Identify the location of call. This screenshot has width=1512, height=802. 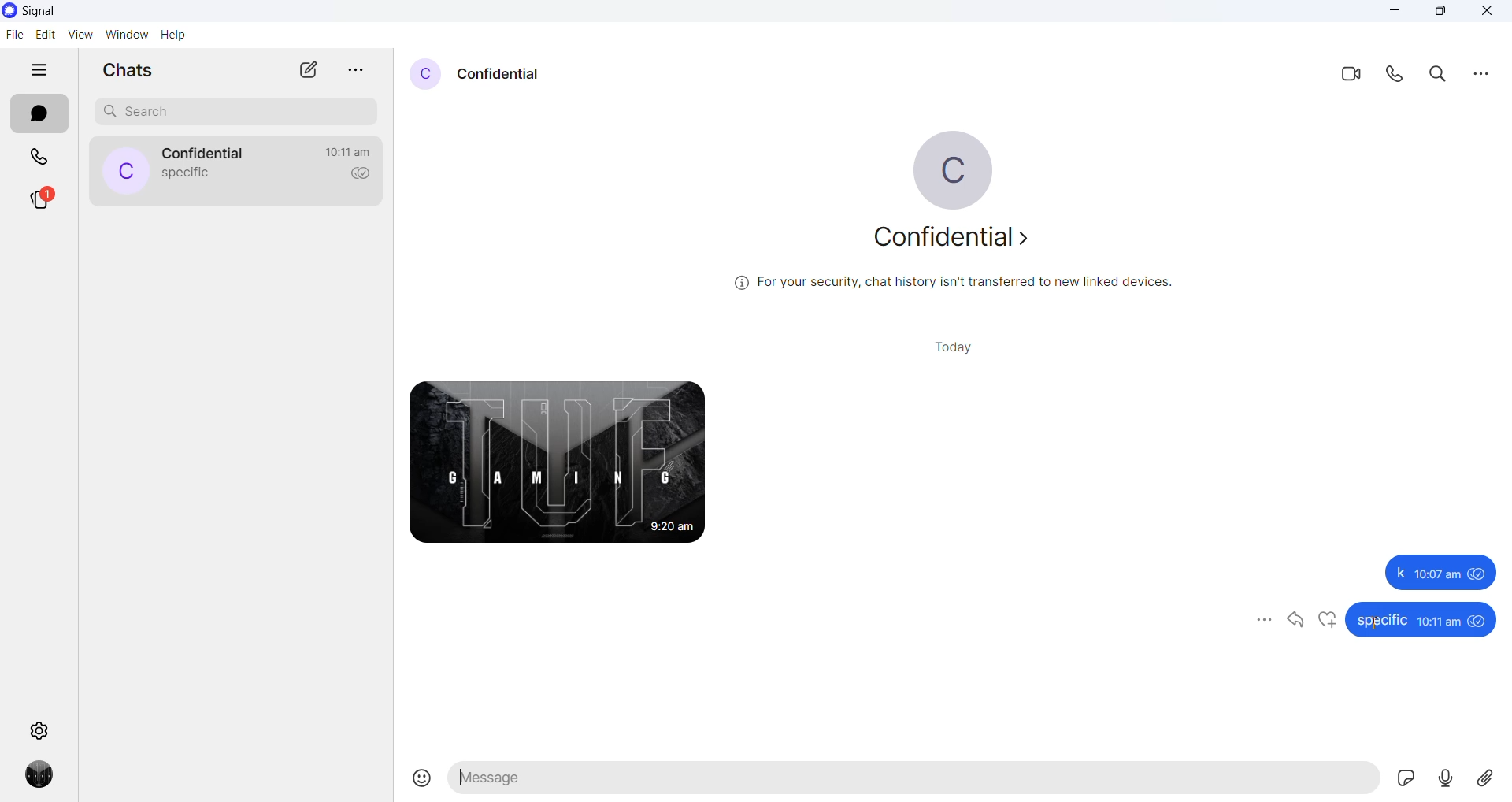
(1398, 76).